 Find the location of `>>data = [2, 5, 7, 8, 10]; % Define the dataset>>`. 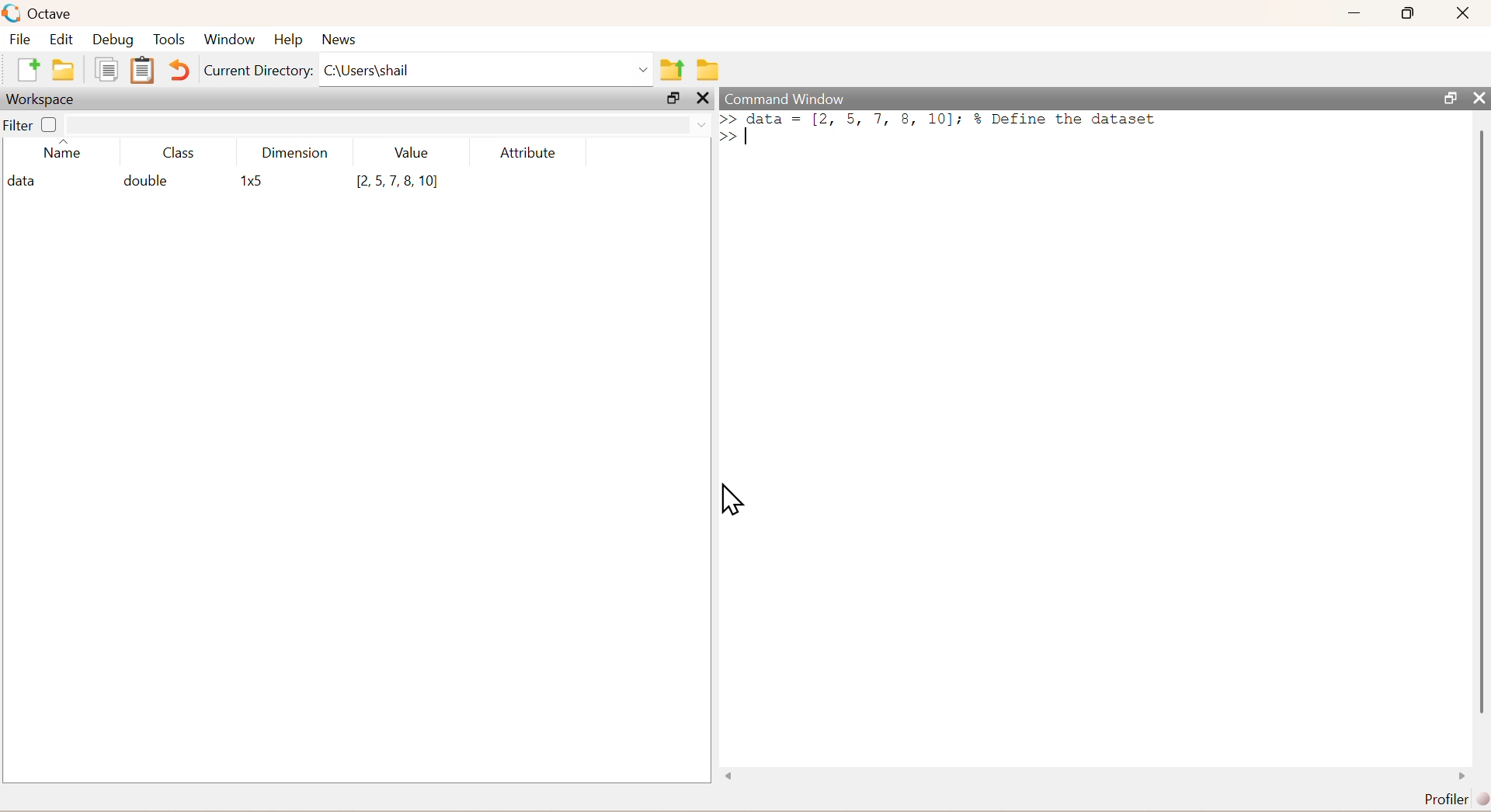

>>data = [2, 5, 7, 8, 10]; % Define the dataset>> is located at coordinates (940, 127).